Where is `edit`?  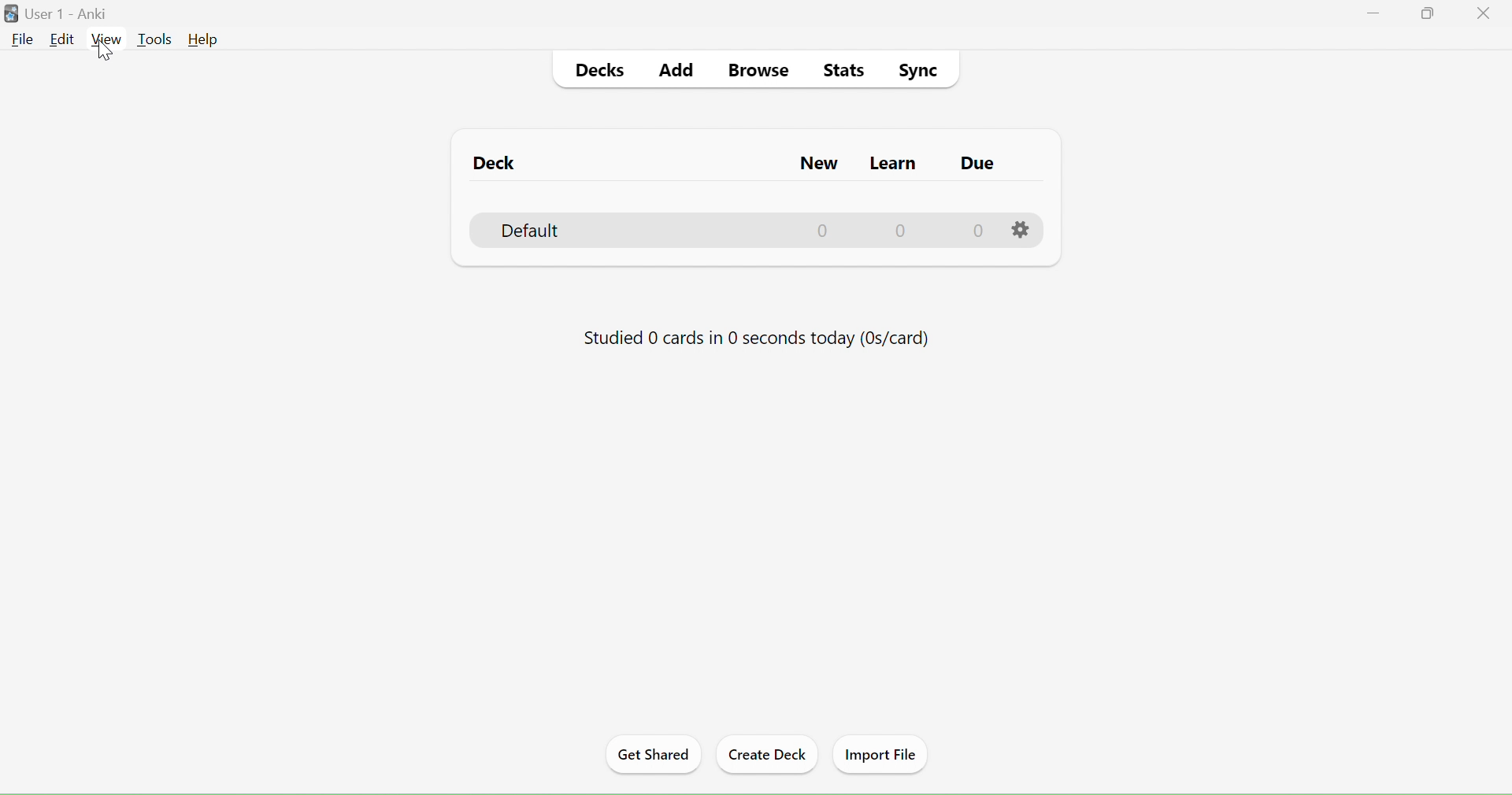 edit is located at coordinates (61, 39).